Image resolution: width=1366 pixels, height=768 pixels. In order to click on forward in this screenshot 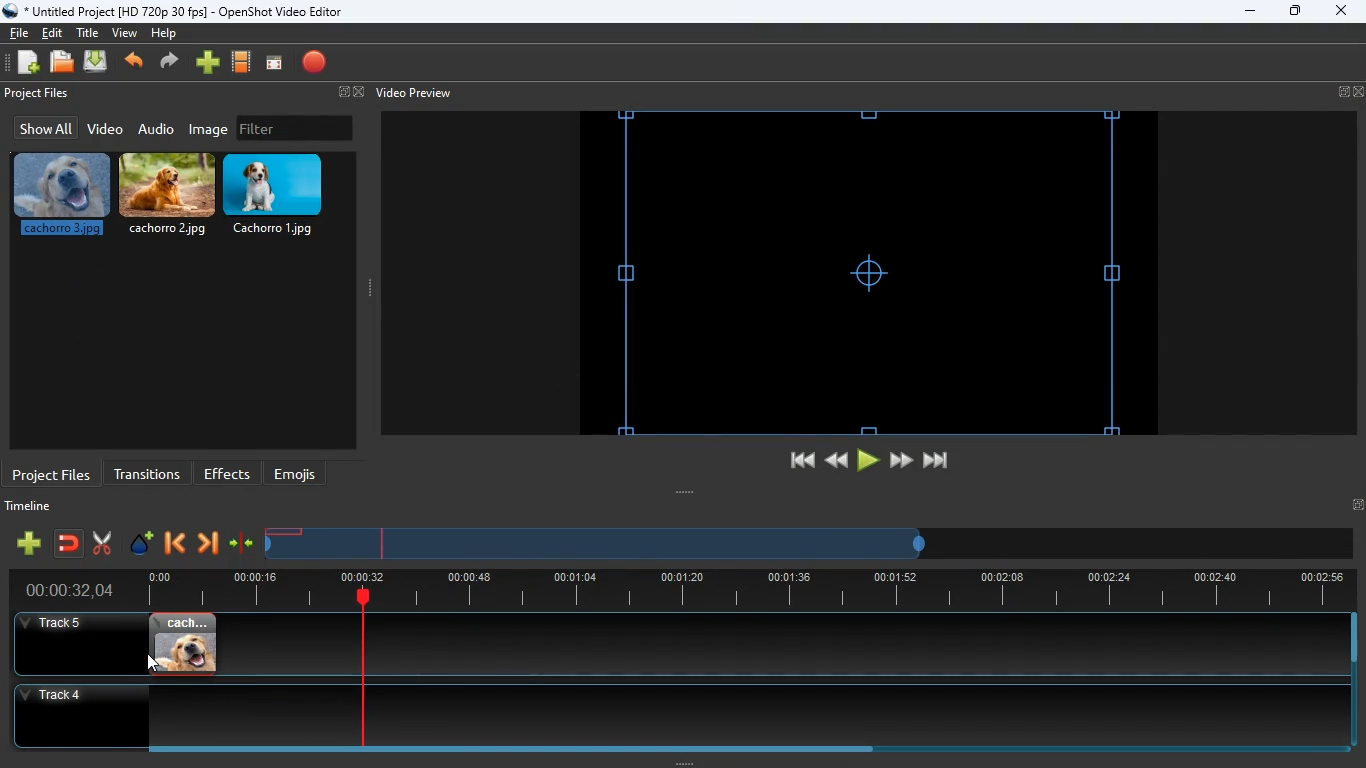, I will do `click(901, 461)`.